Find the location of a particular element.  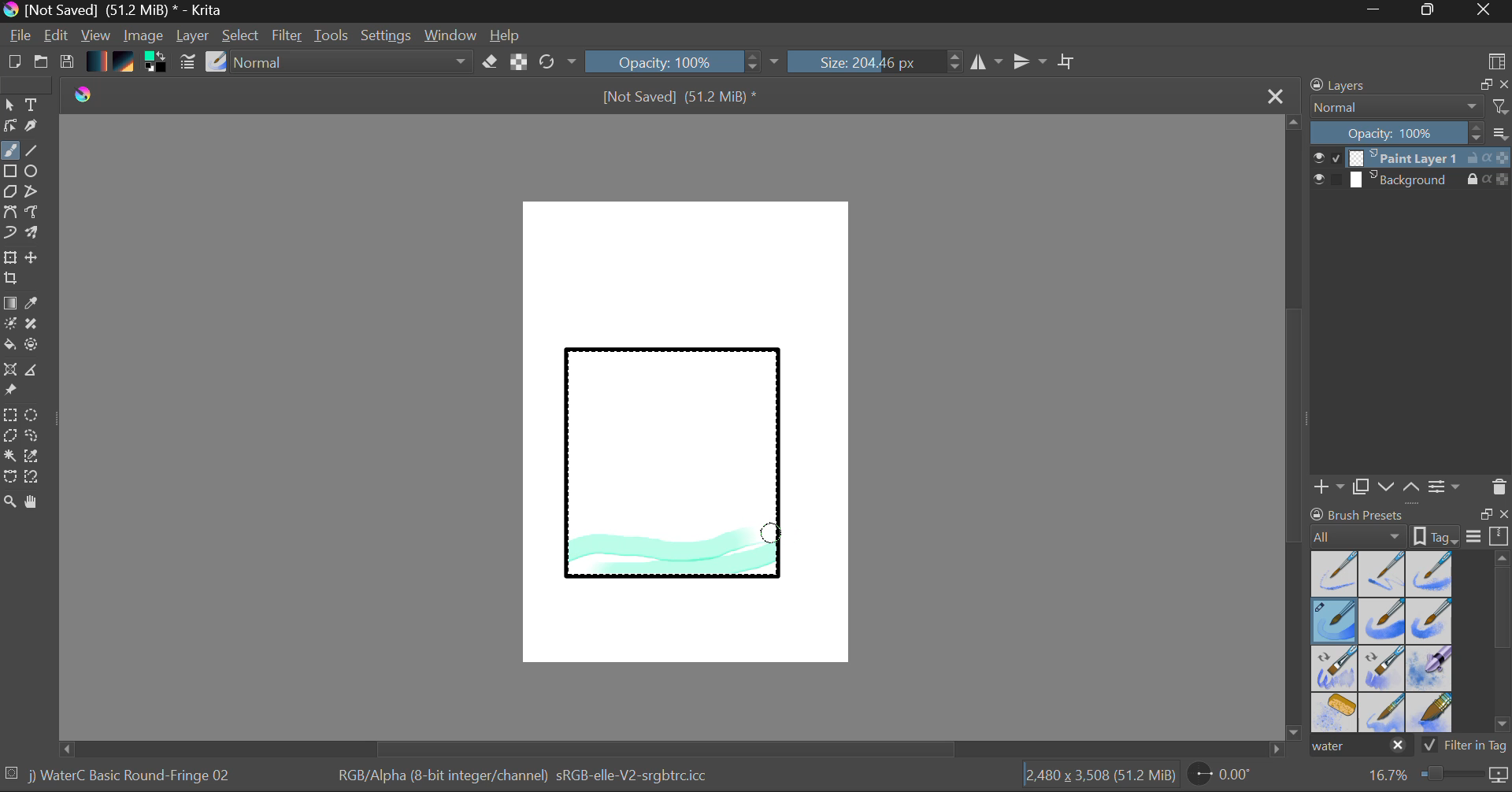

View is located at coordinates (96, 35).